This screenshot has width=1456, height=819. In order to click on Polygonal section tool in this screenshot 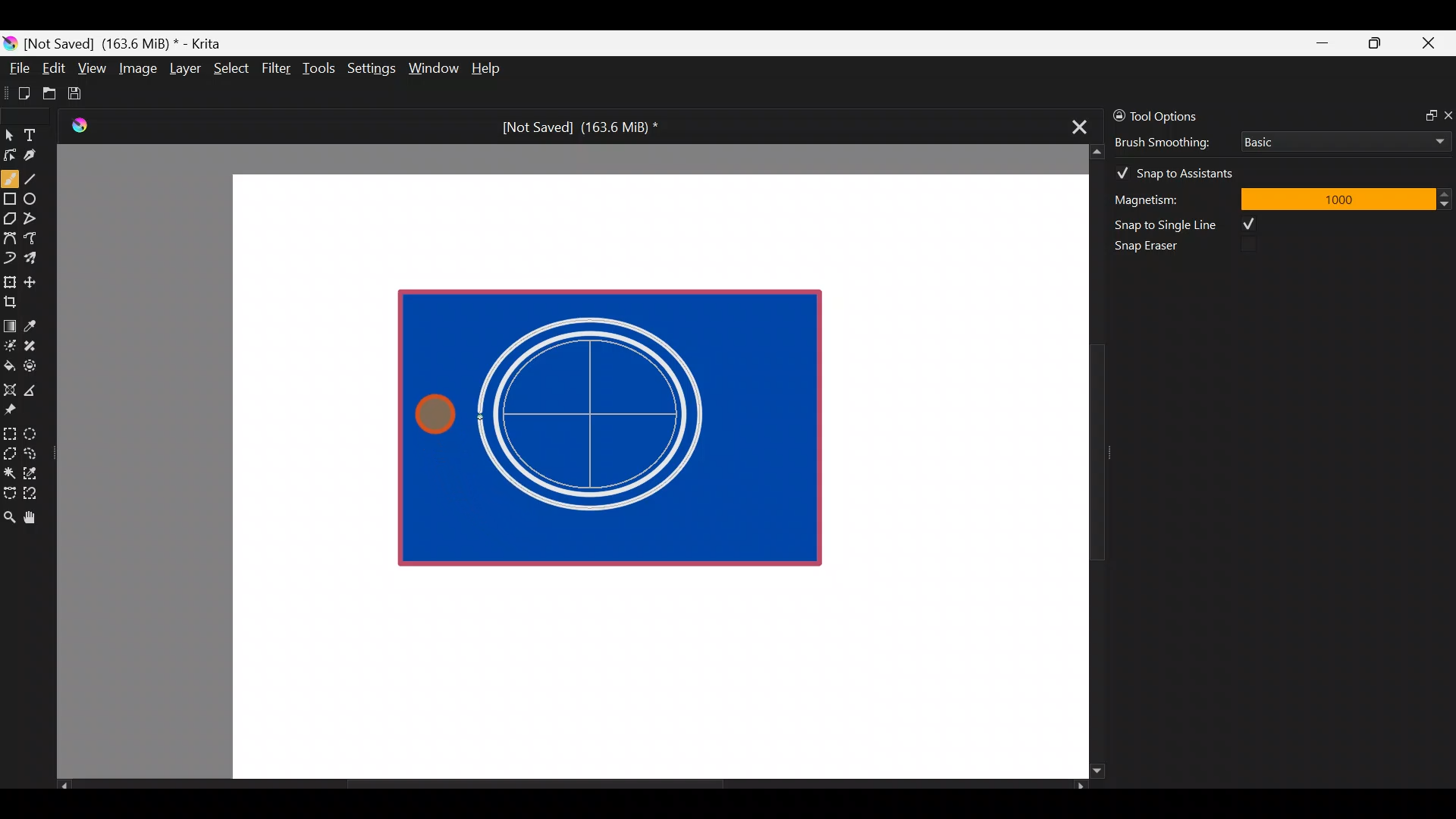, I will do `click(9, 450)`.